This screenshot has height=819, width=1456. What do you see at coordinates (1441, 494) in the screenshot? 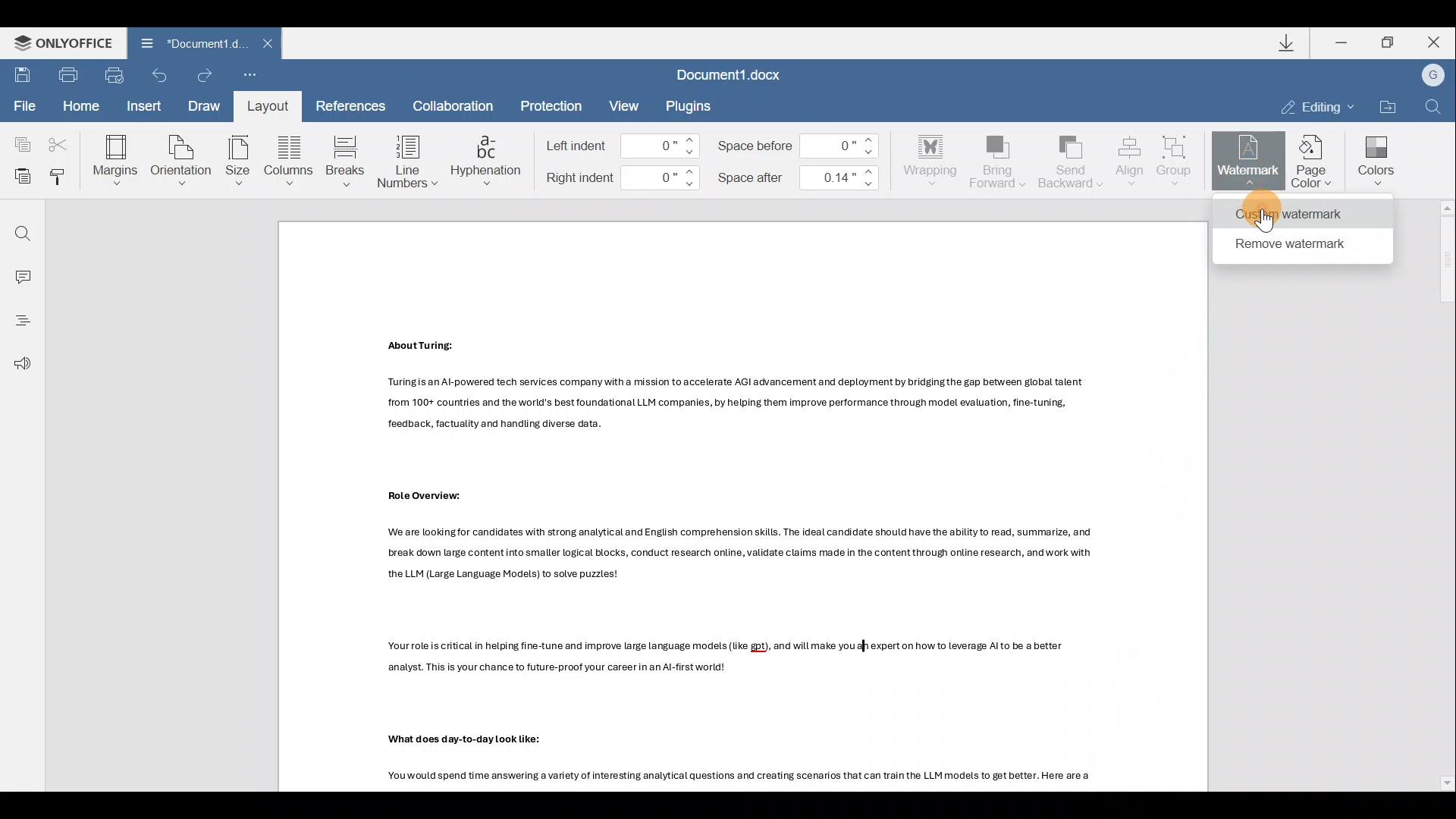
I see `Scroll bar` at bounding box center [1441, 494].